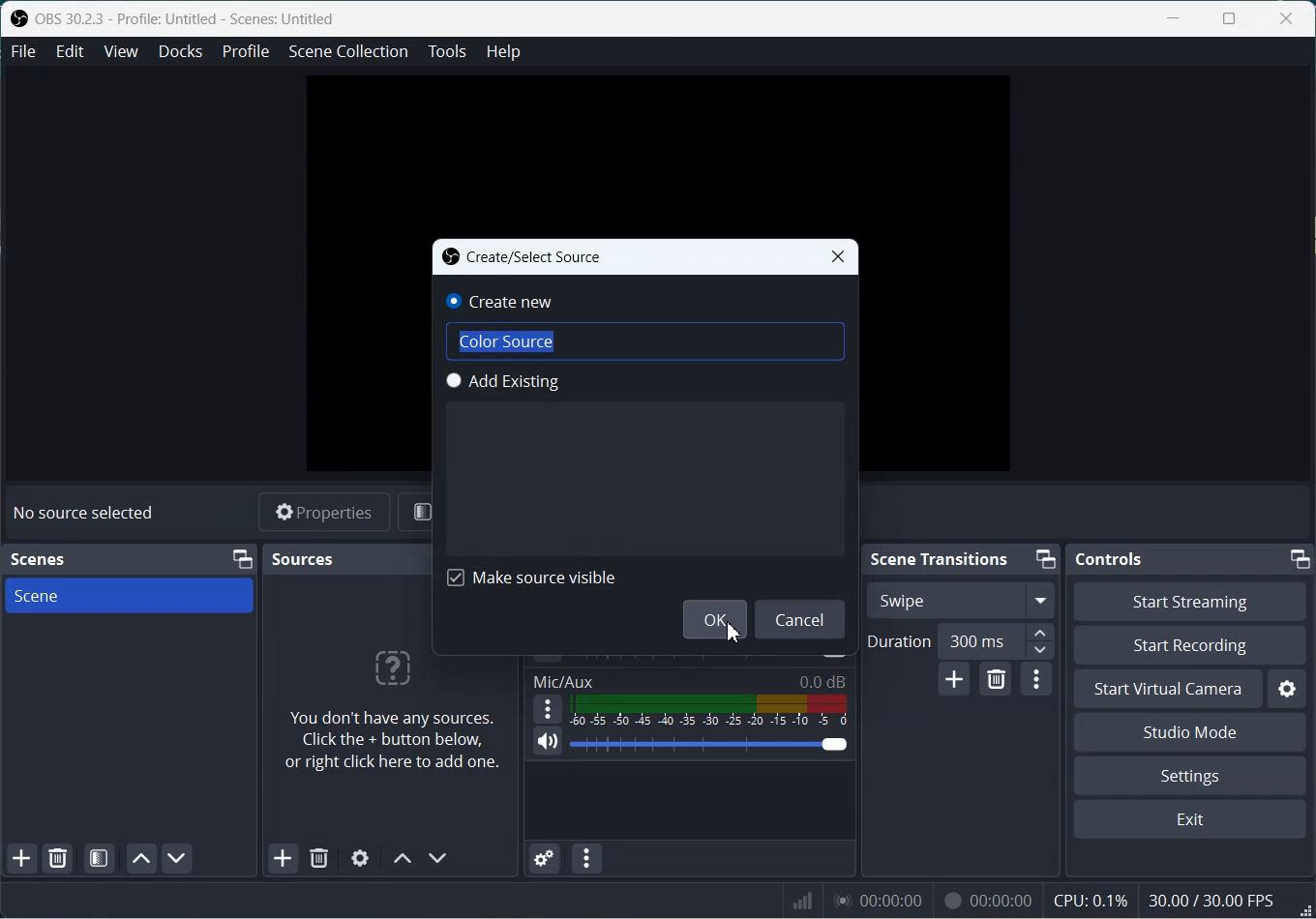  I want to click on Window Adjuster, so click(1303, 909).